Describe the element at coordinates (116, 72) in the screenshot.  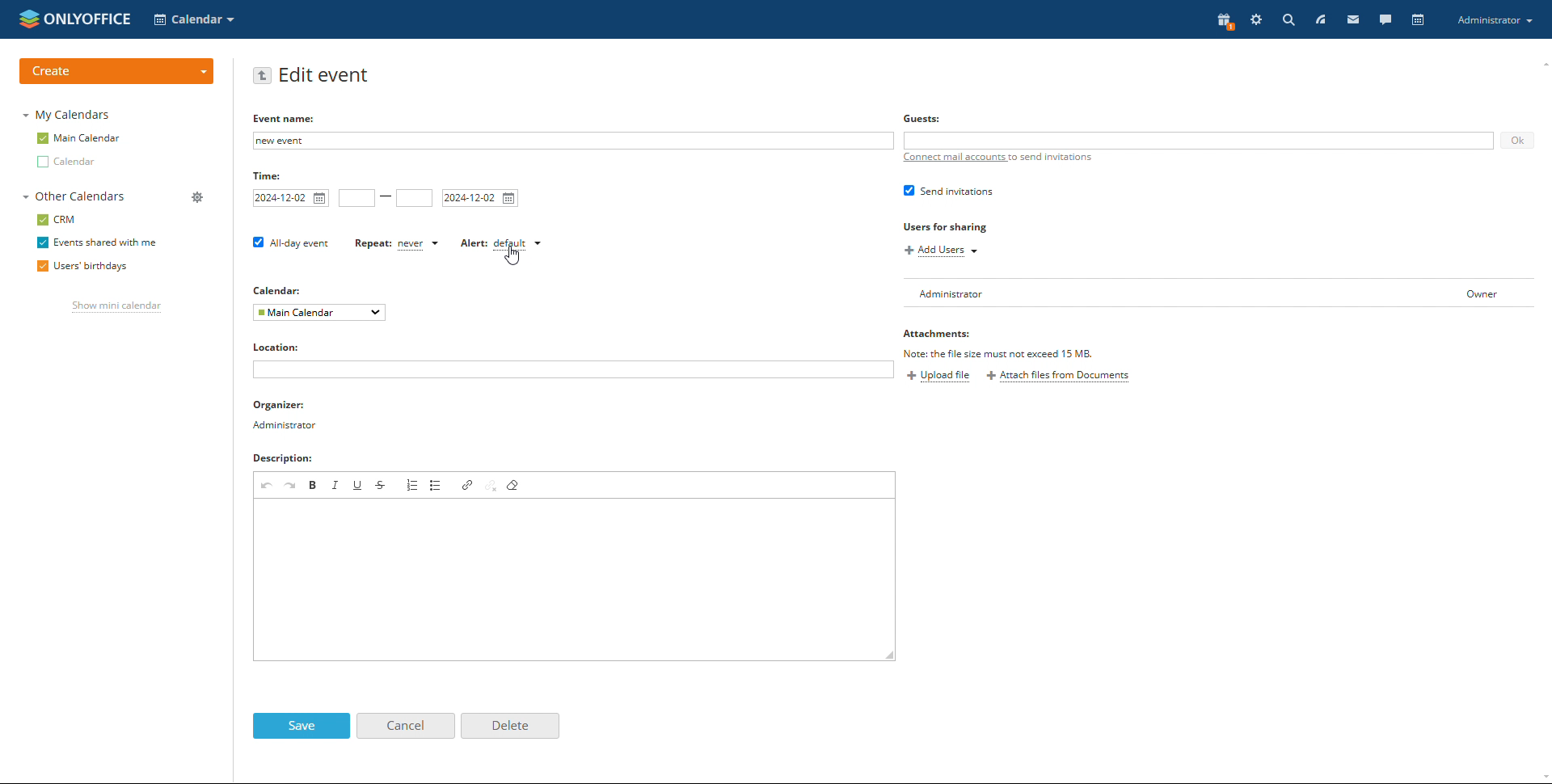
I see `create` at that location.